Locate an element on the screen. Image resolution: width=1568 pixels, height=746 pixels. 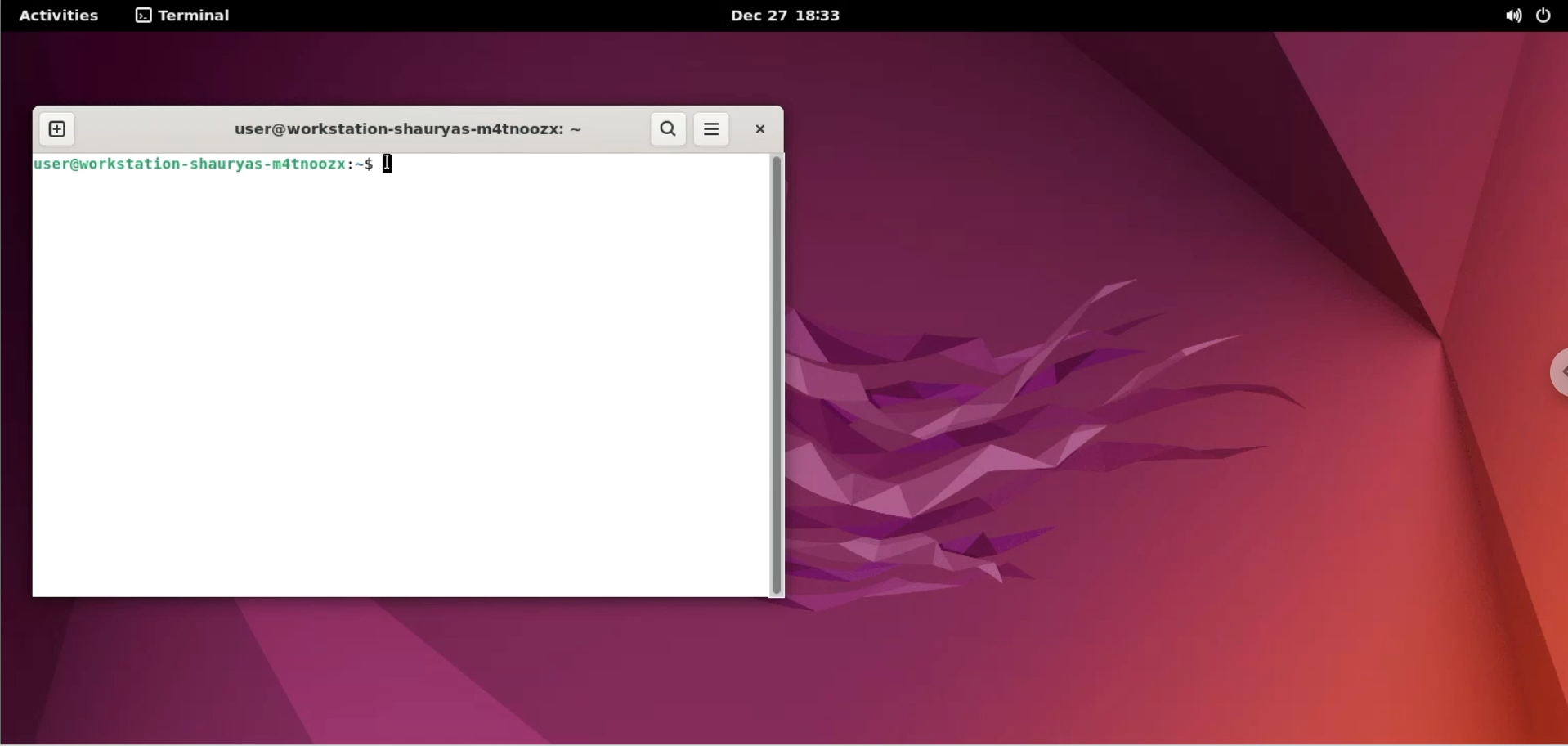
Activities is located at coordinates (58, 16).